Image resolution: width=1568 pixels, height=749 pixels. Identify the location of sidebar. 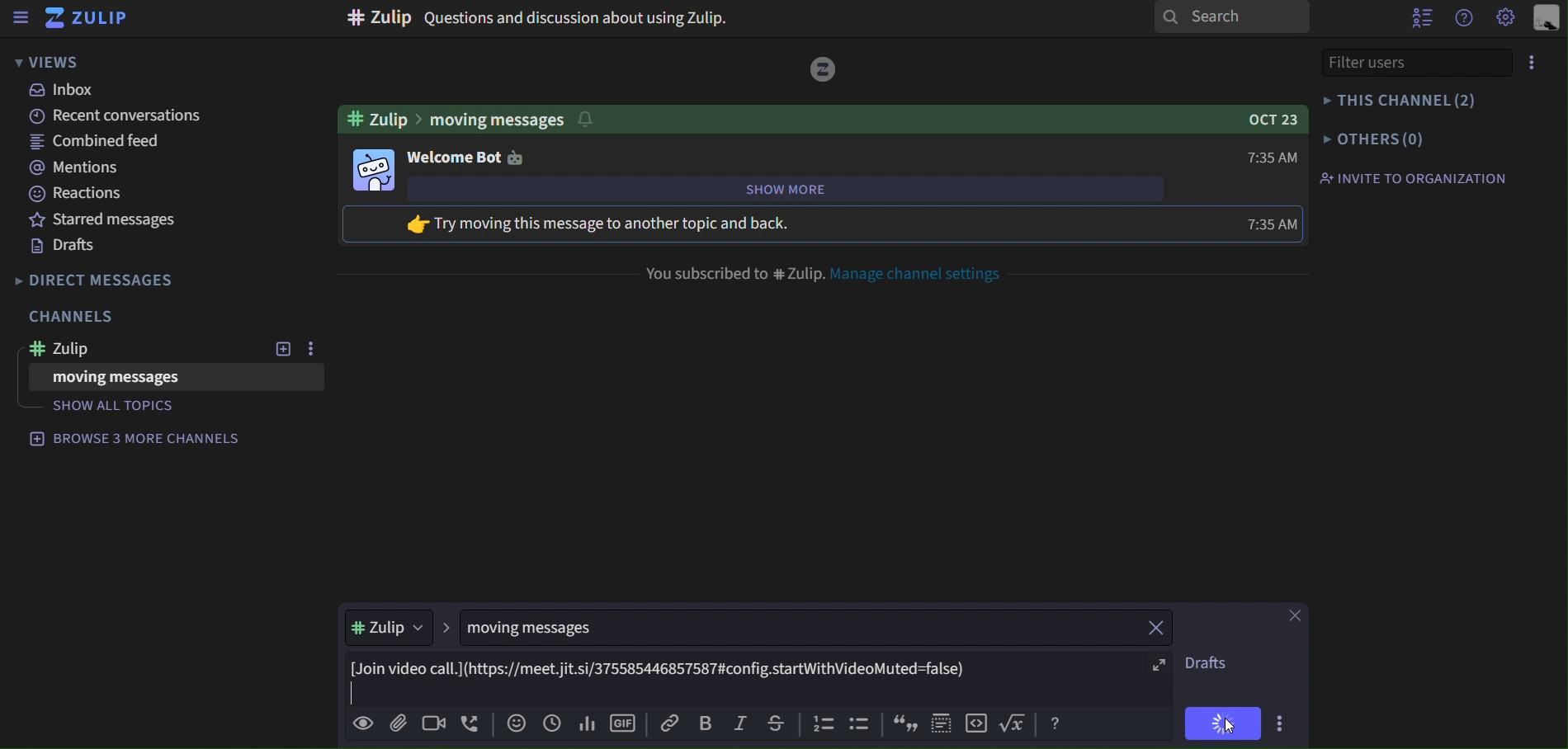
(20, 18).